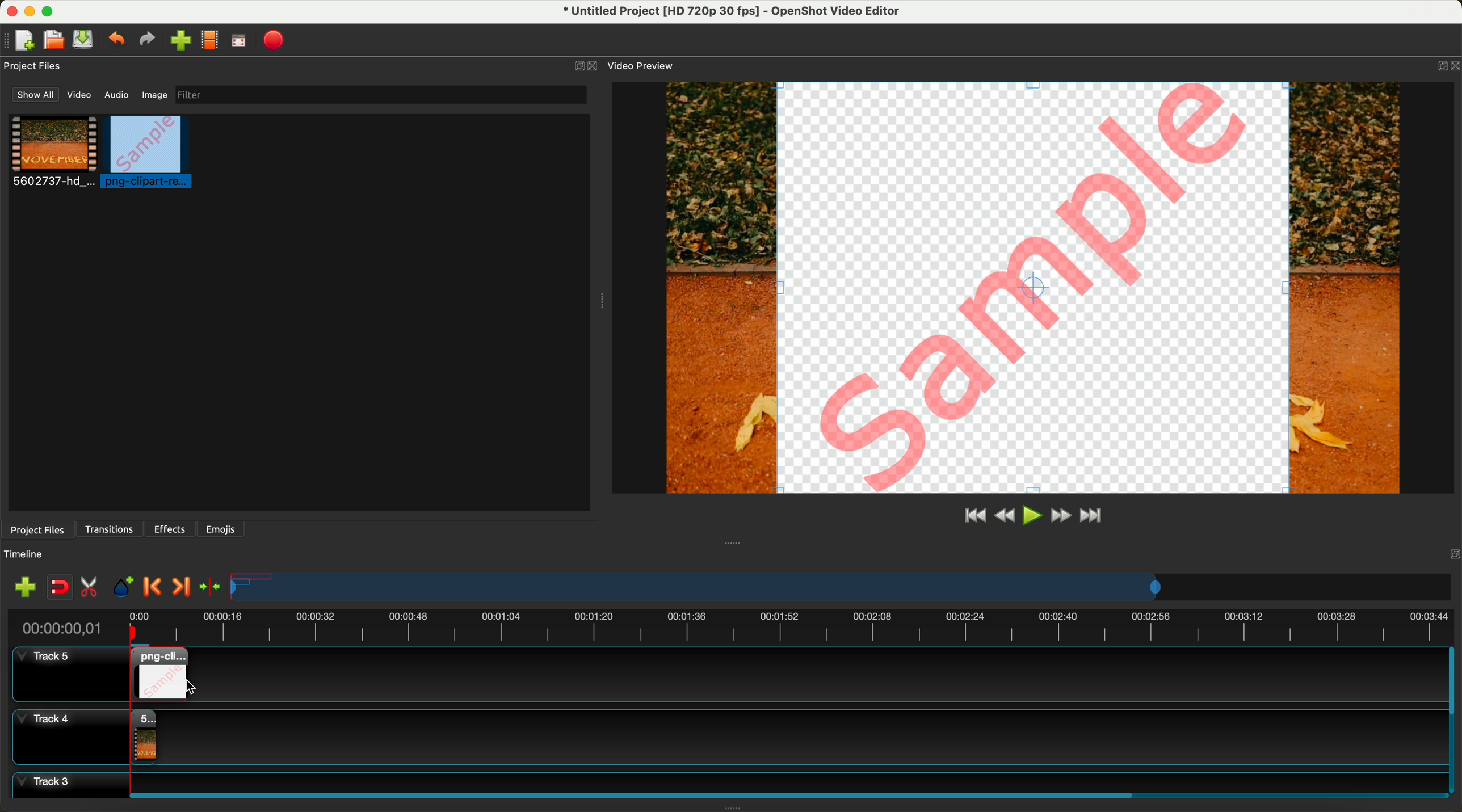  Describe the element at coordinates (213, 42) in the screenshot. I see `choose profile` at that location.